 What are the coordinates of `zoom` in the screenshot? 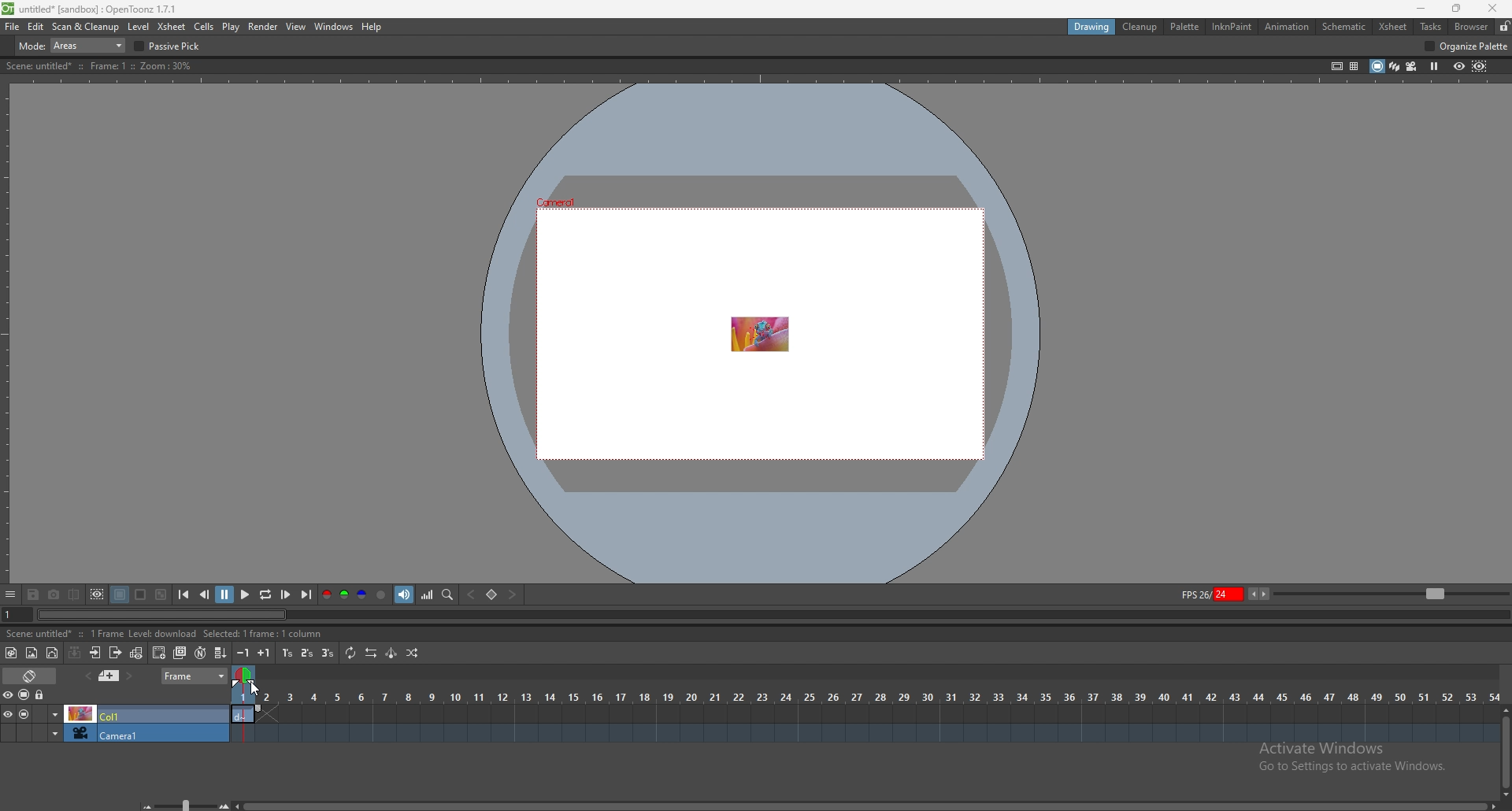 It's located at (180, 803).